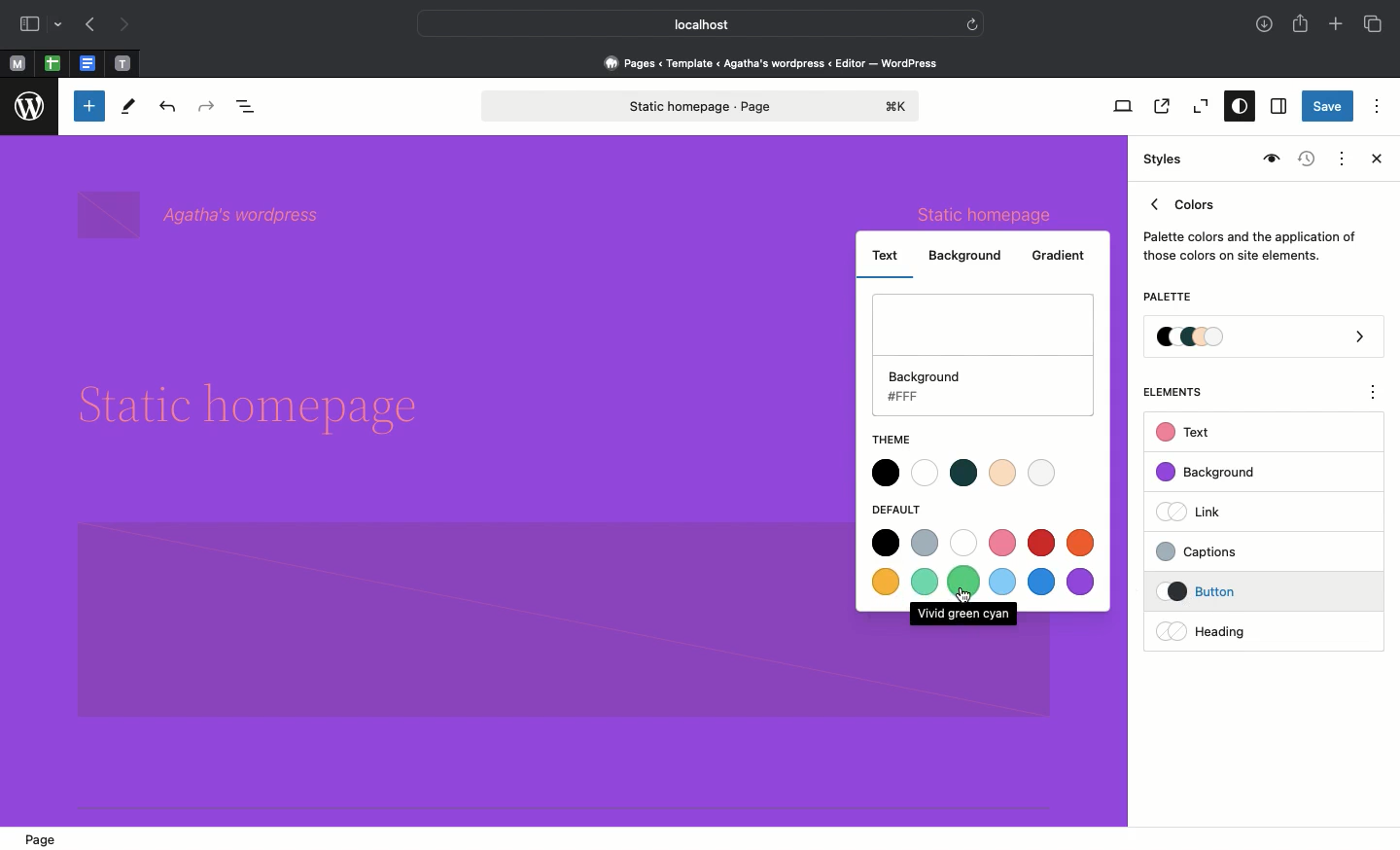  I want to click on Style book, so click(1269, 159).